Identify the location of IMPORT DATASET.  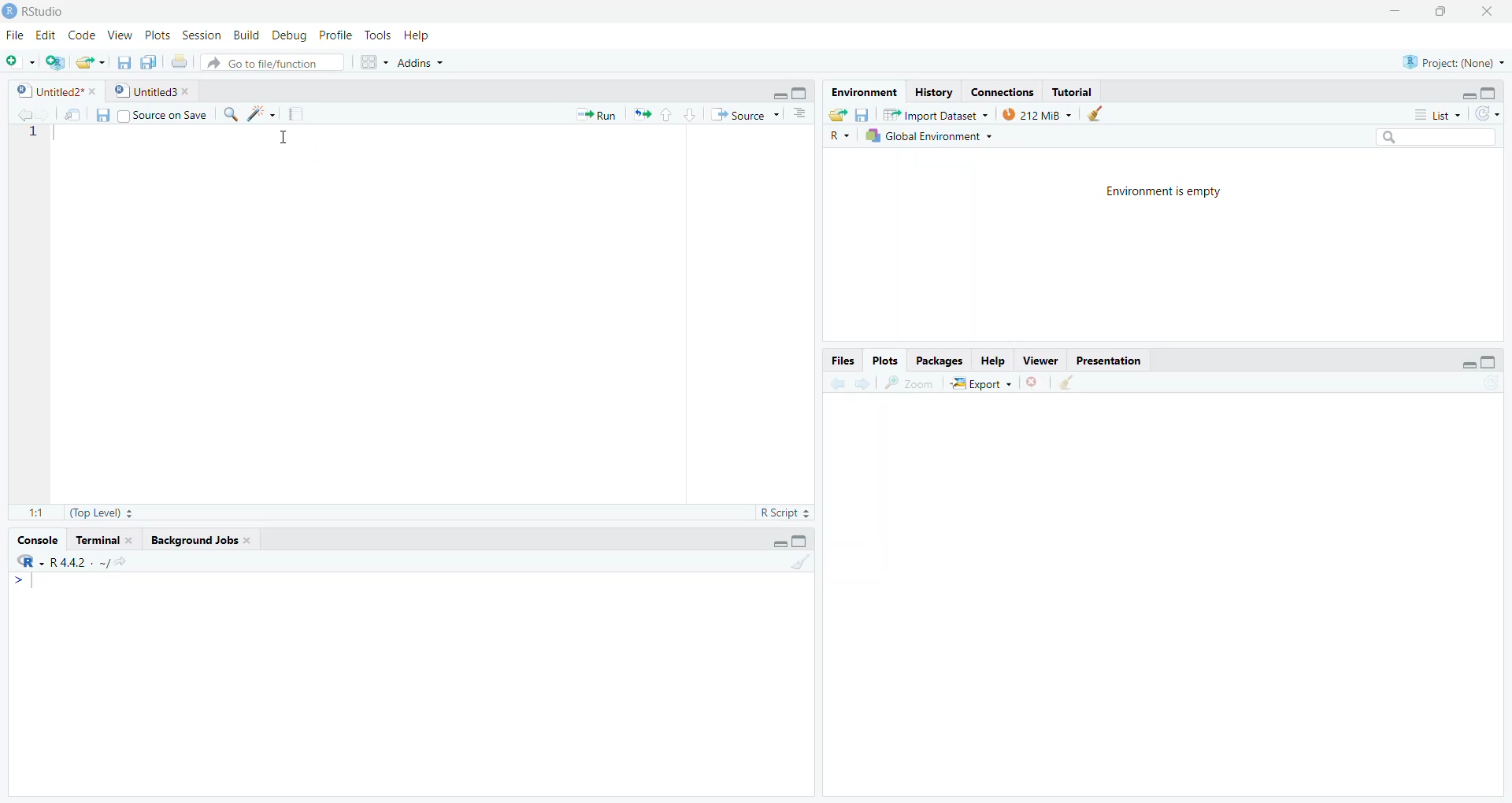
(936, 116).